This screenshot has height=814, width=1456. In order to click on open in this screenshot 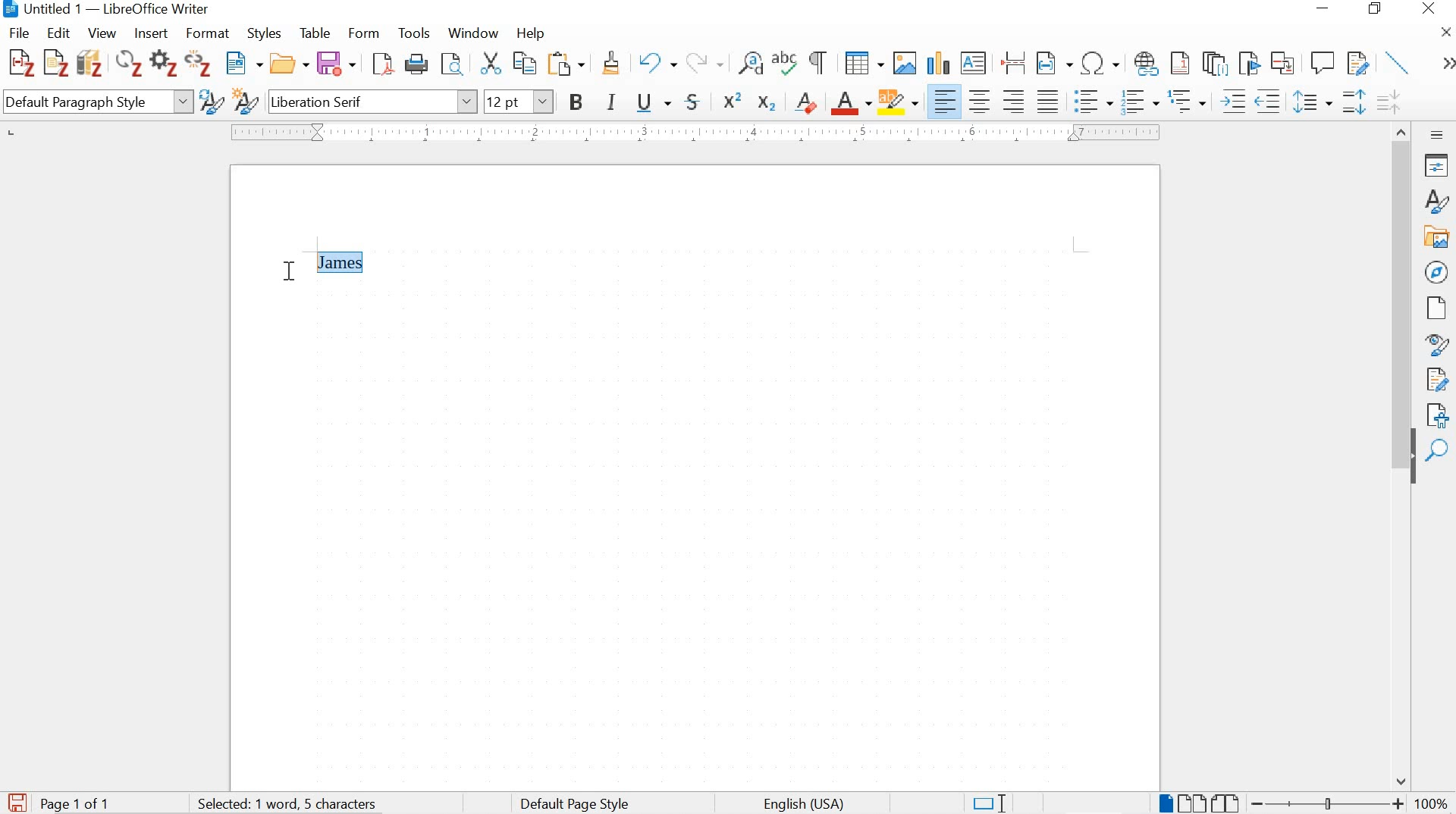, I will do `click(290, 64)`.